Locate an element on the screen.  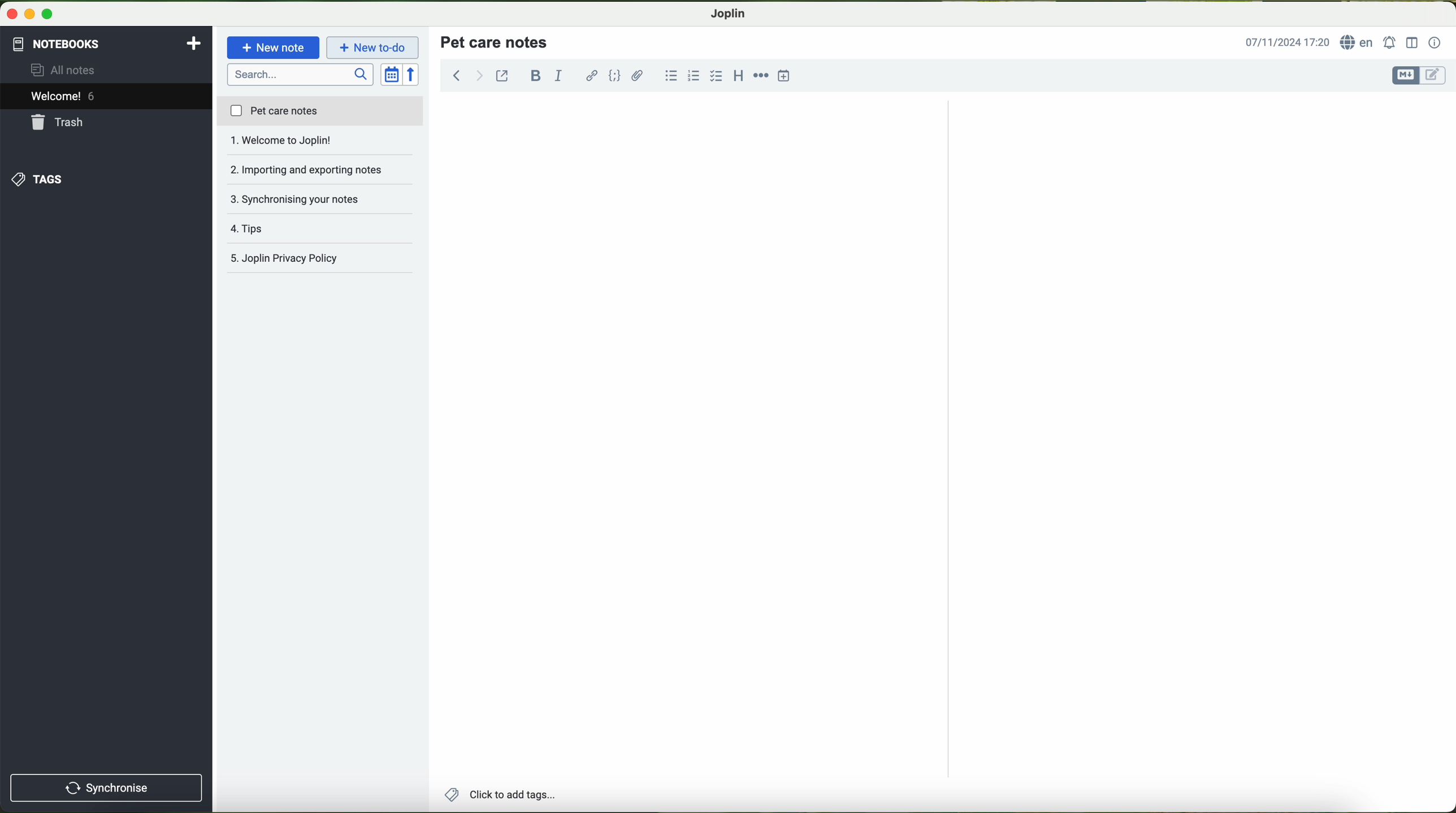
numbered list is located at coordinates (692, 76).